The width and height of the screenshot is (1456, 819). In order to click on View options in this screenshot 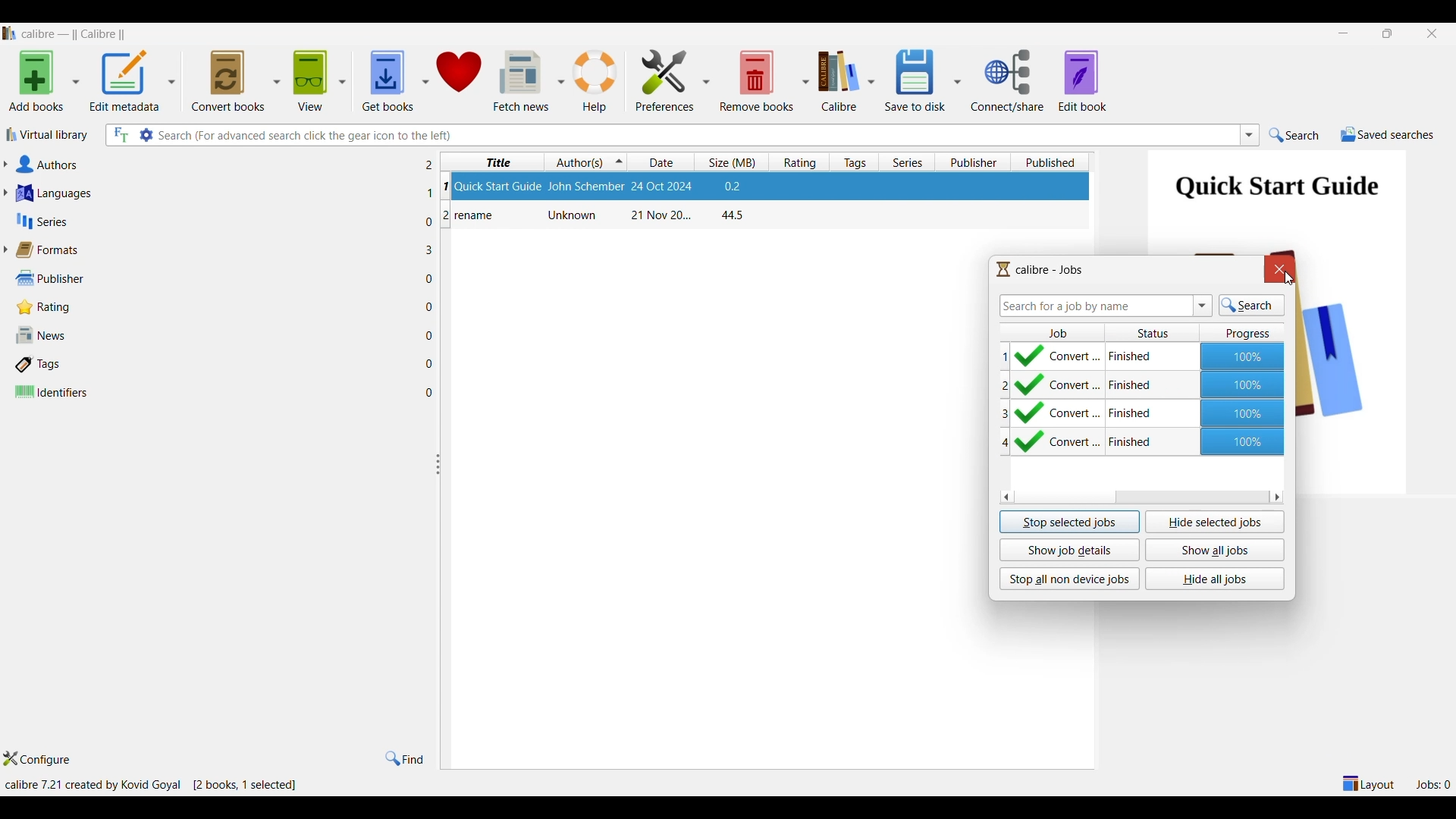, I will do `click(341, 81)`.